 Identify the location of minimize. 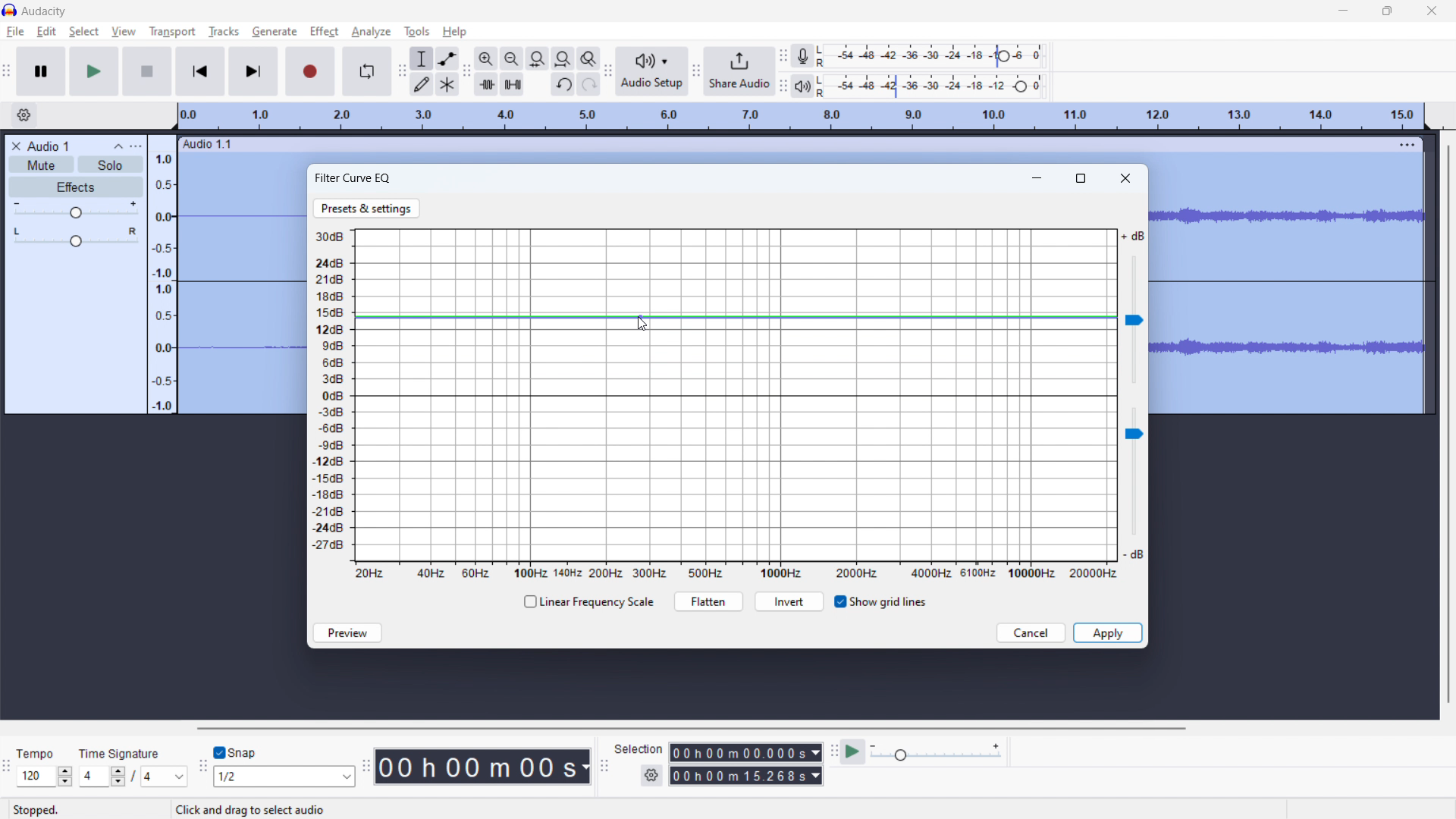
(1039, 176).